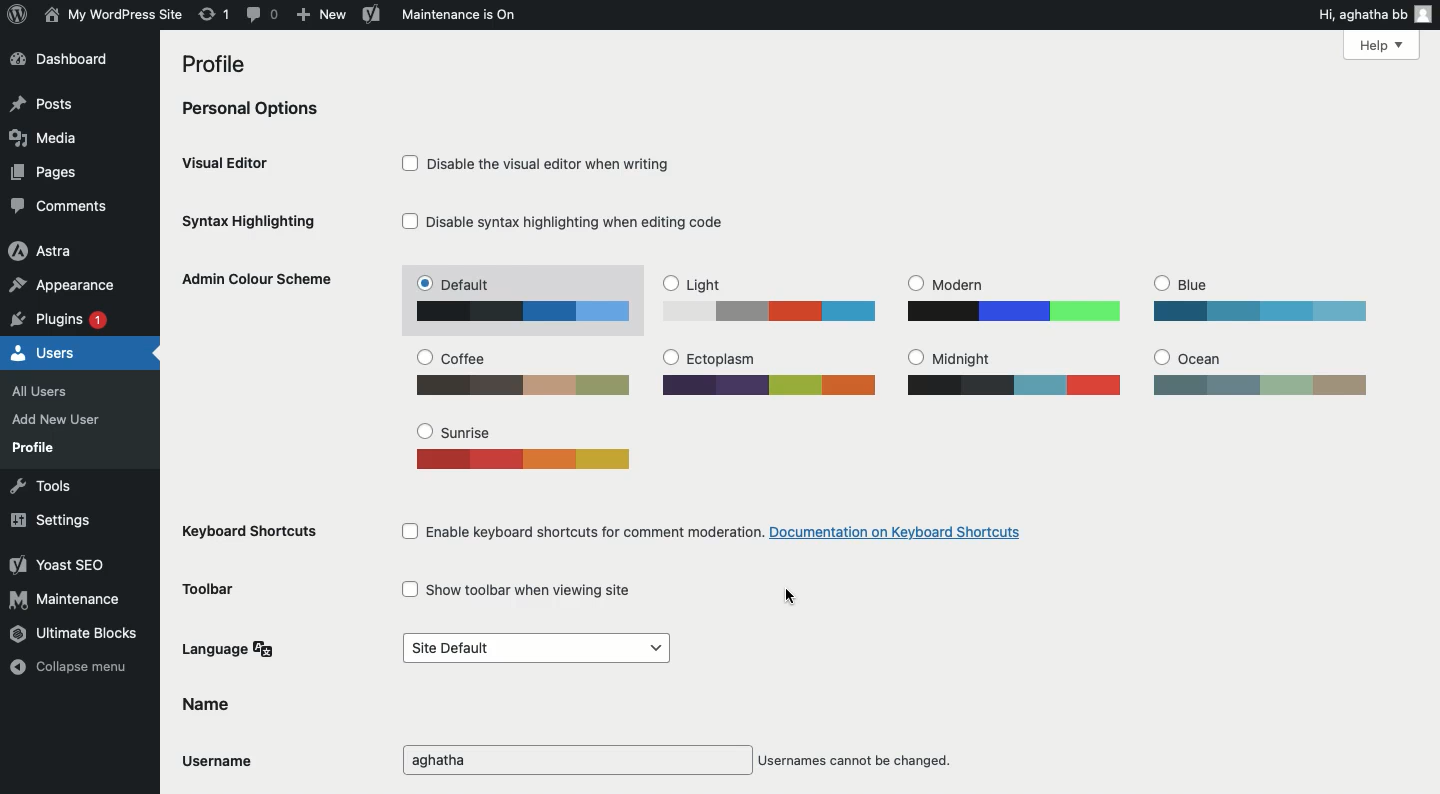  I want to click on Disable the visual editor when writing, so click(540, 163).